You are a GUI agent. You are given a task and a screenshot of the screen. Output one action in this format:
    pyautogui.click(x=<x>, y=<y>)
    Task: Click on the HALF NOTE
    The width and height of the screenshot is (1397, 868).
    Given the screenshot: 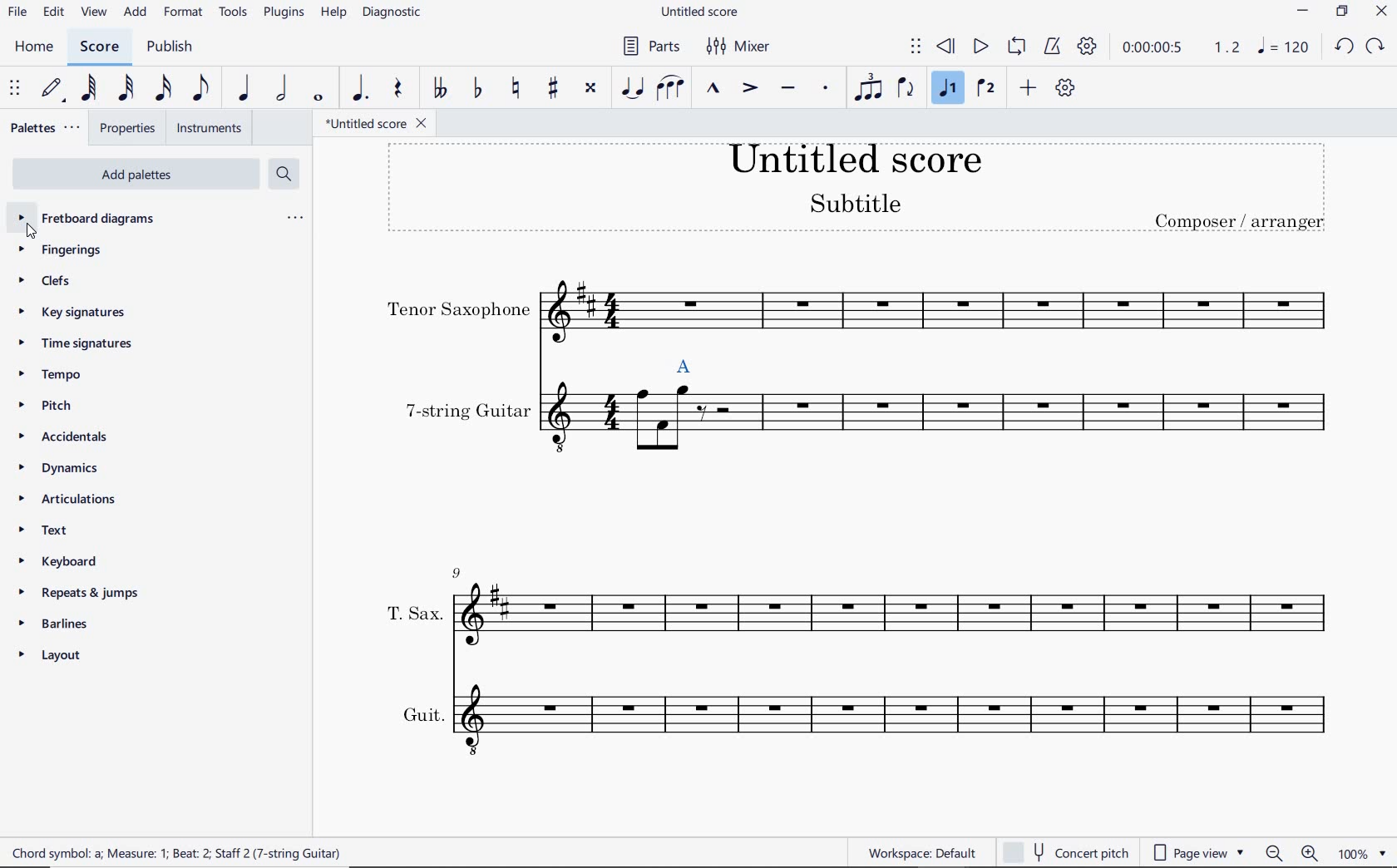 What is the action you would take?
    pyautogui.click(x=280, y=89)
    